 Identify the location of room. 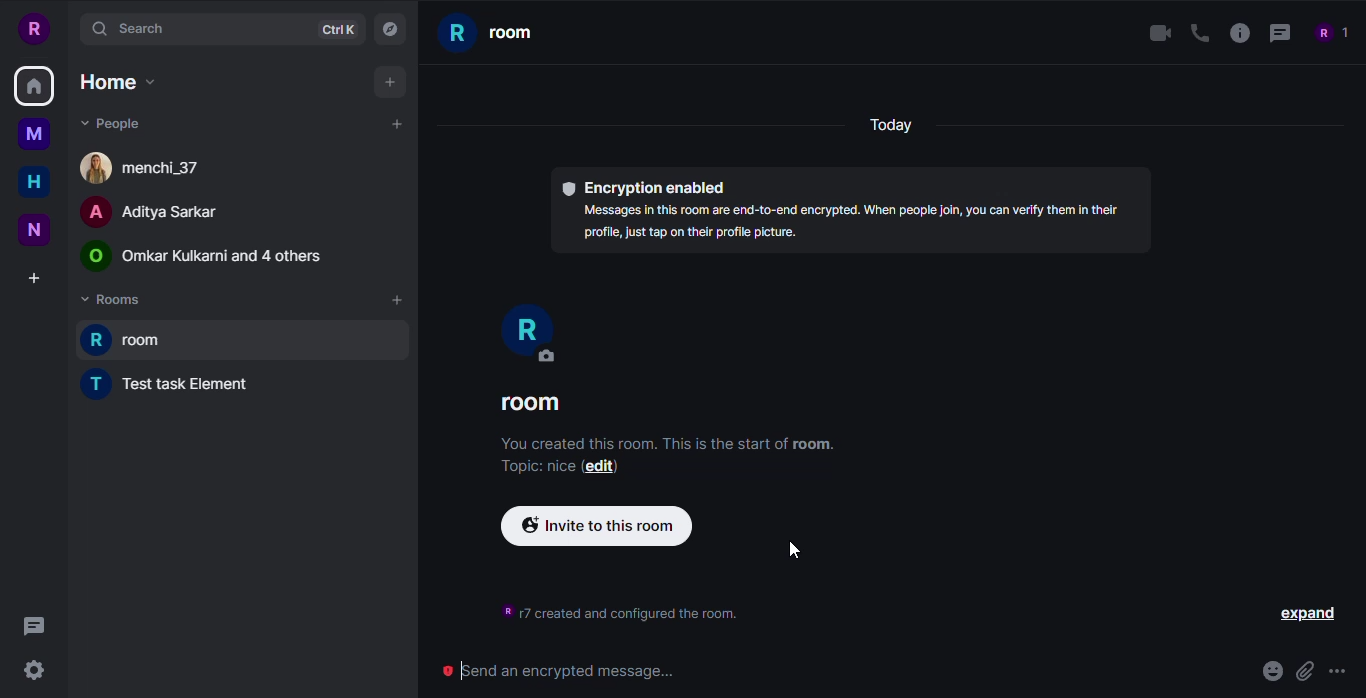
(568, 403).